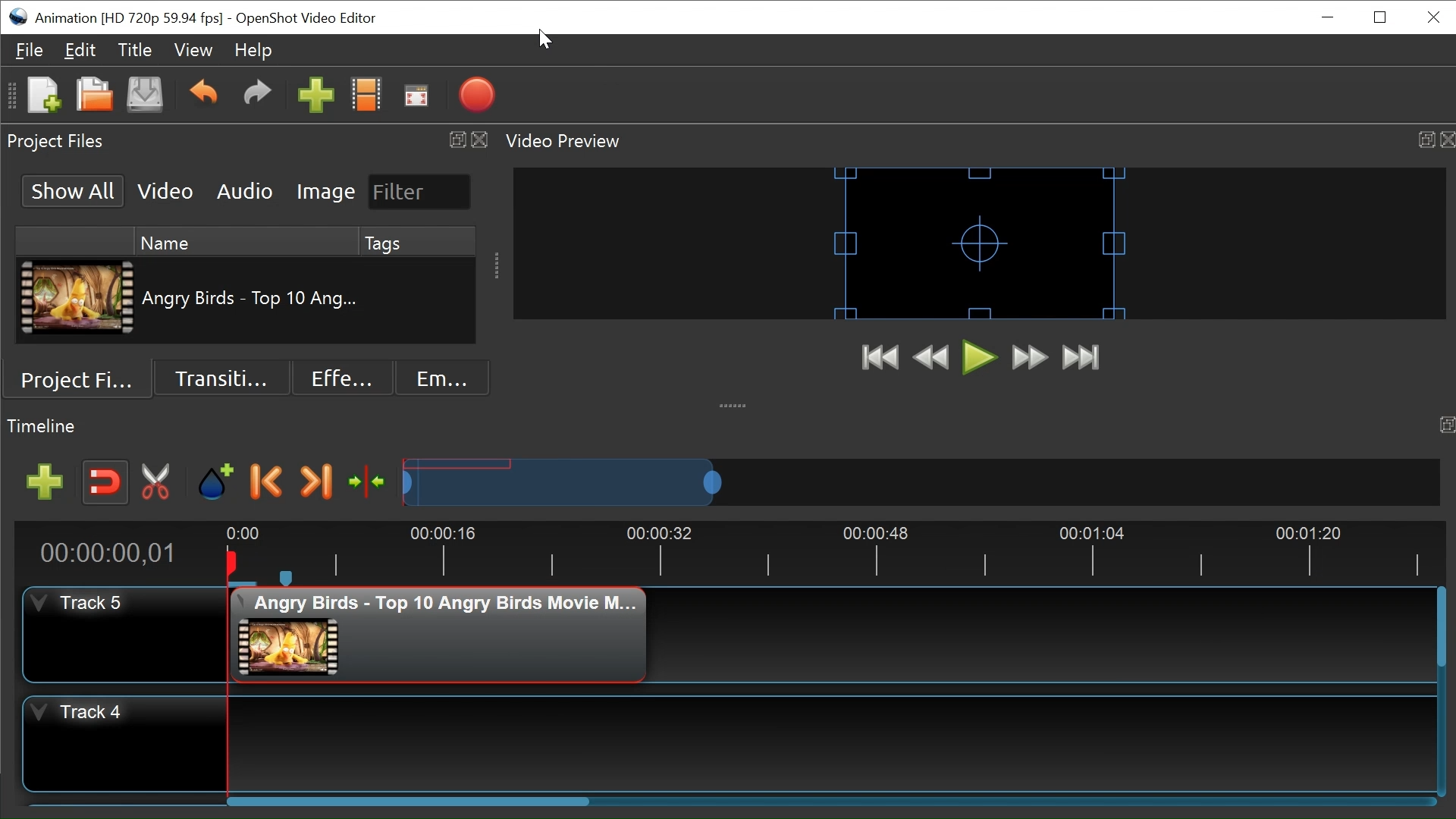 This screenshot has height=819, width=1456. I want to click on Clip, so click(79, 300).